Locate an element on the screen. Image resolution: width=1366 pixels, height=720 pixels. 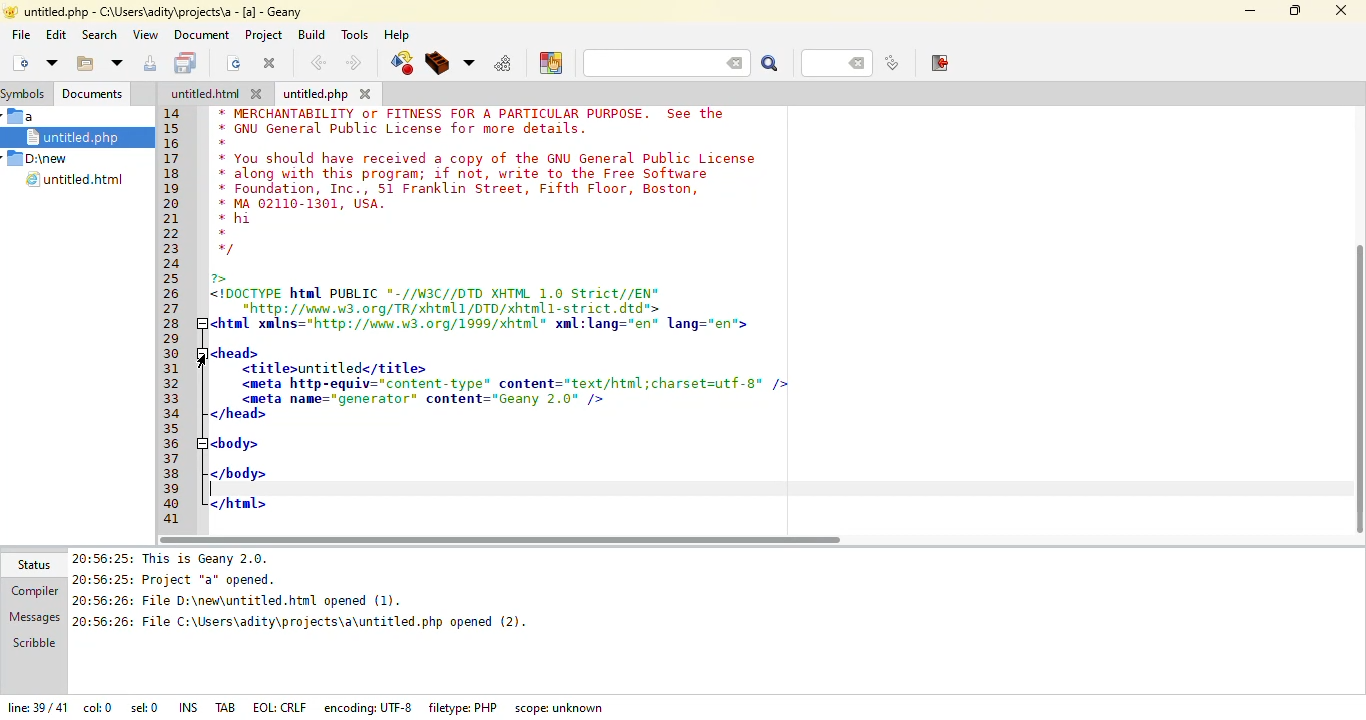
help is located at coordinates (395, 35).